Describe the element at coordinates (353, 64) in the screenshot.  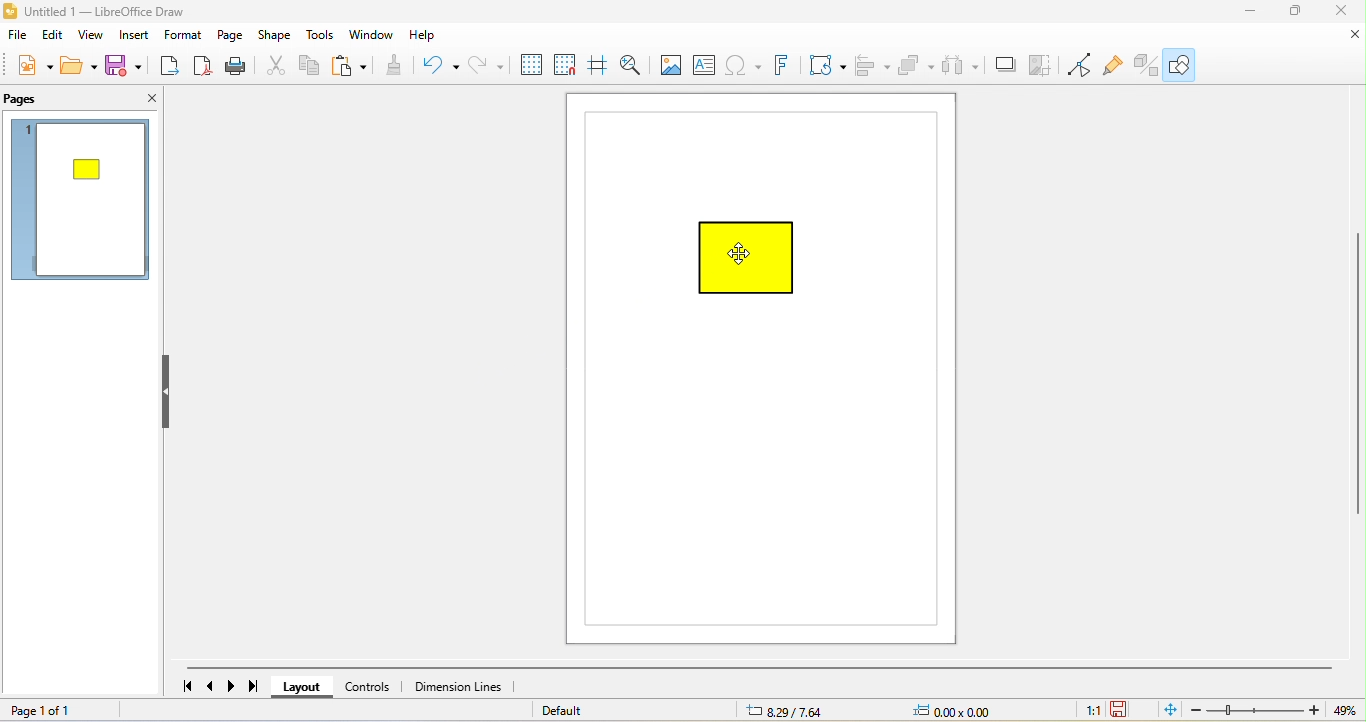
I see `paste` at that location.